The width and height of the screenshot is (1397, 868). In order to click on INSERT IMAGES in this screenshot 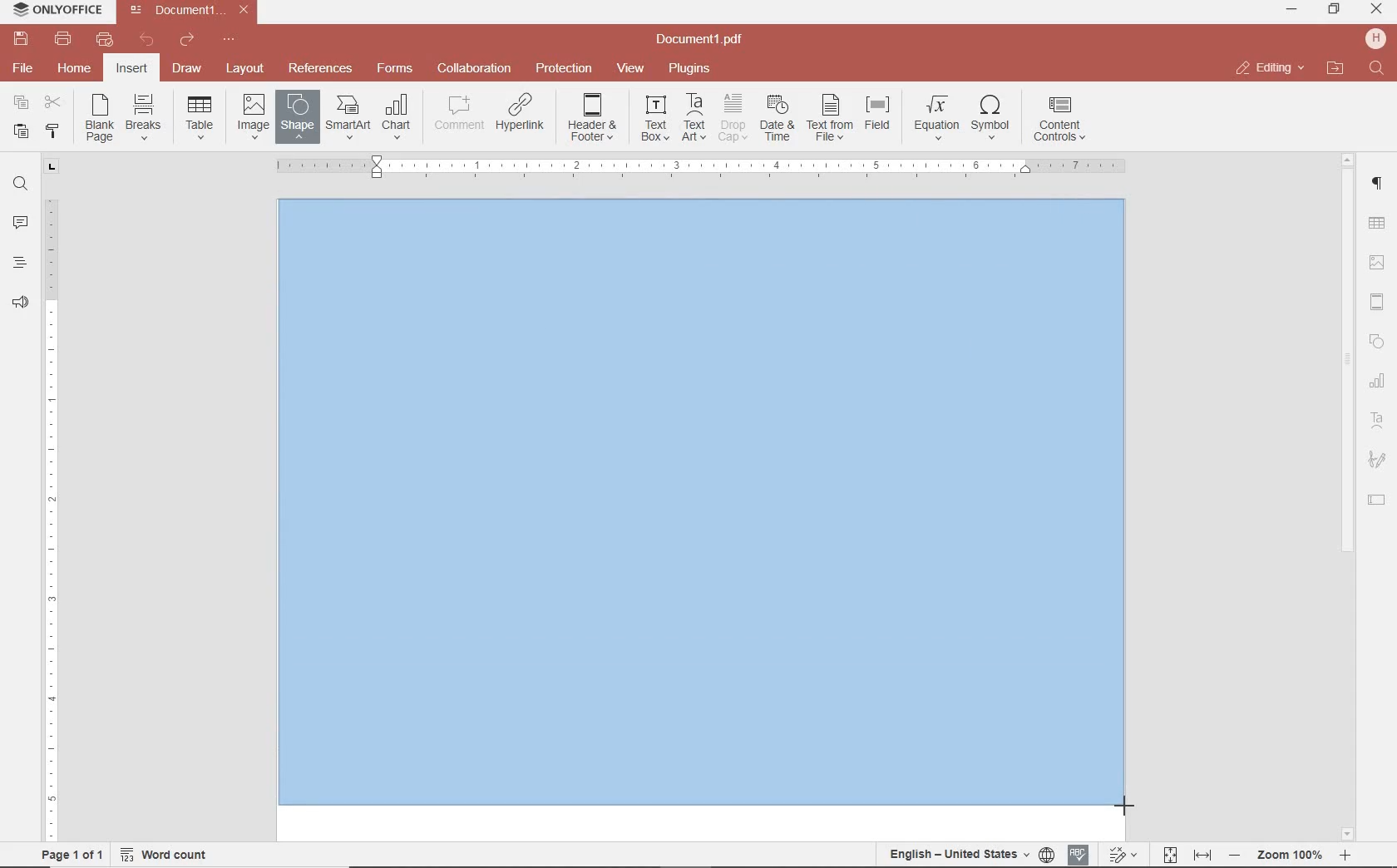, I will do `click(254, 116)`.